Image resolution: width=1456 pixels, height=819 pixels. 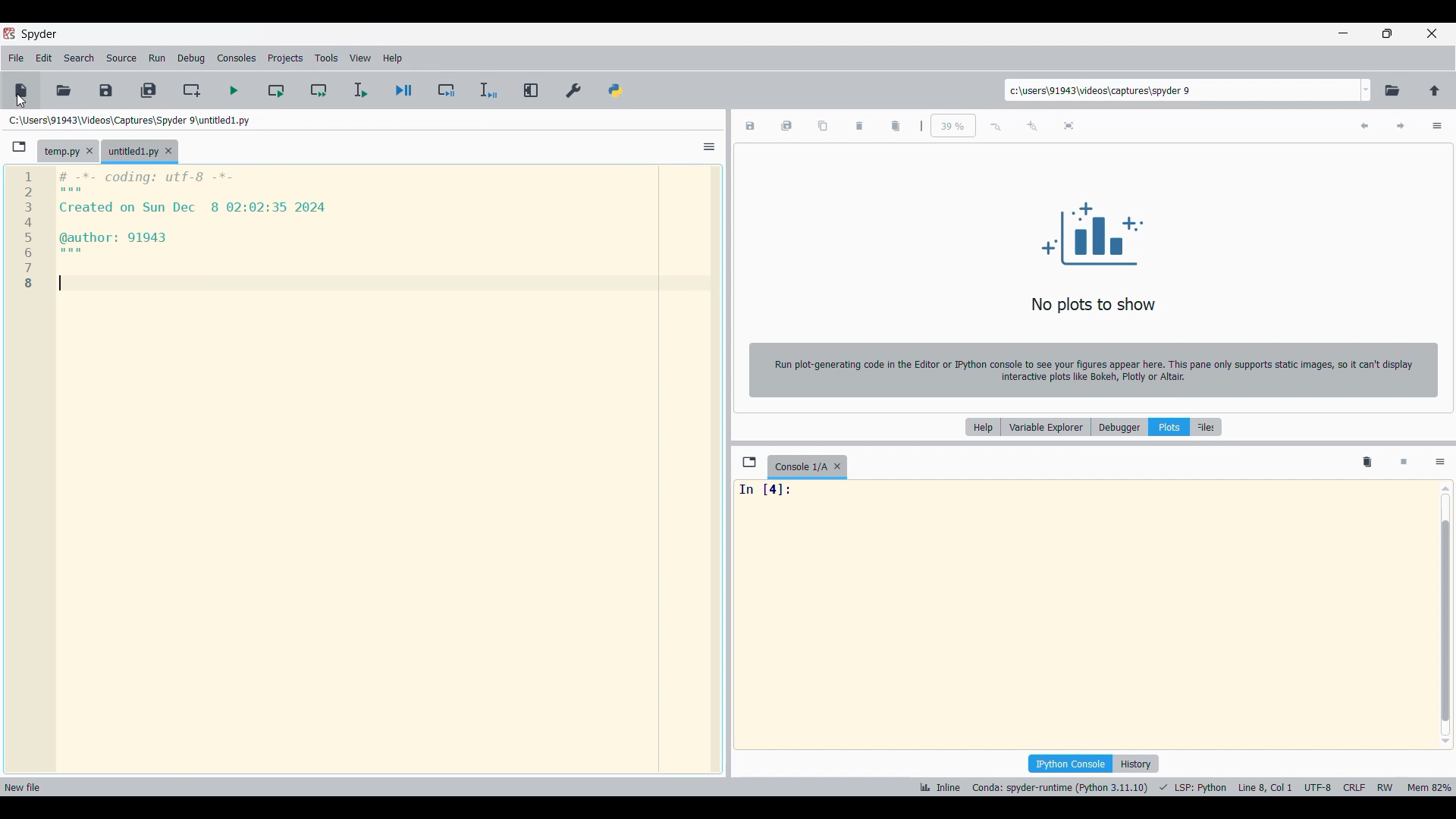 I want to click on Options, so click(x=709, y=147).